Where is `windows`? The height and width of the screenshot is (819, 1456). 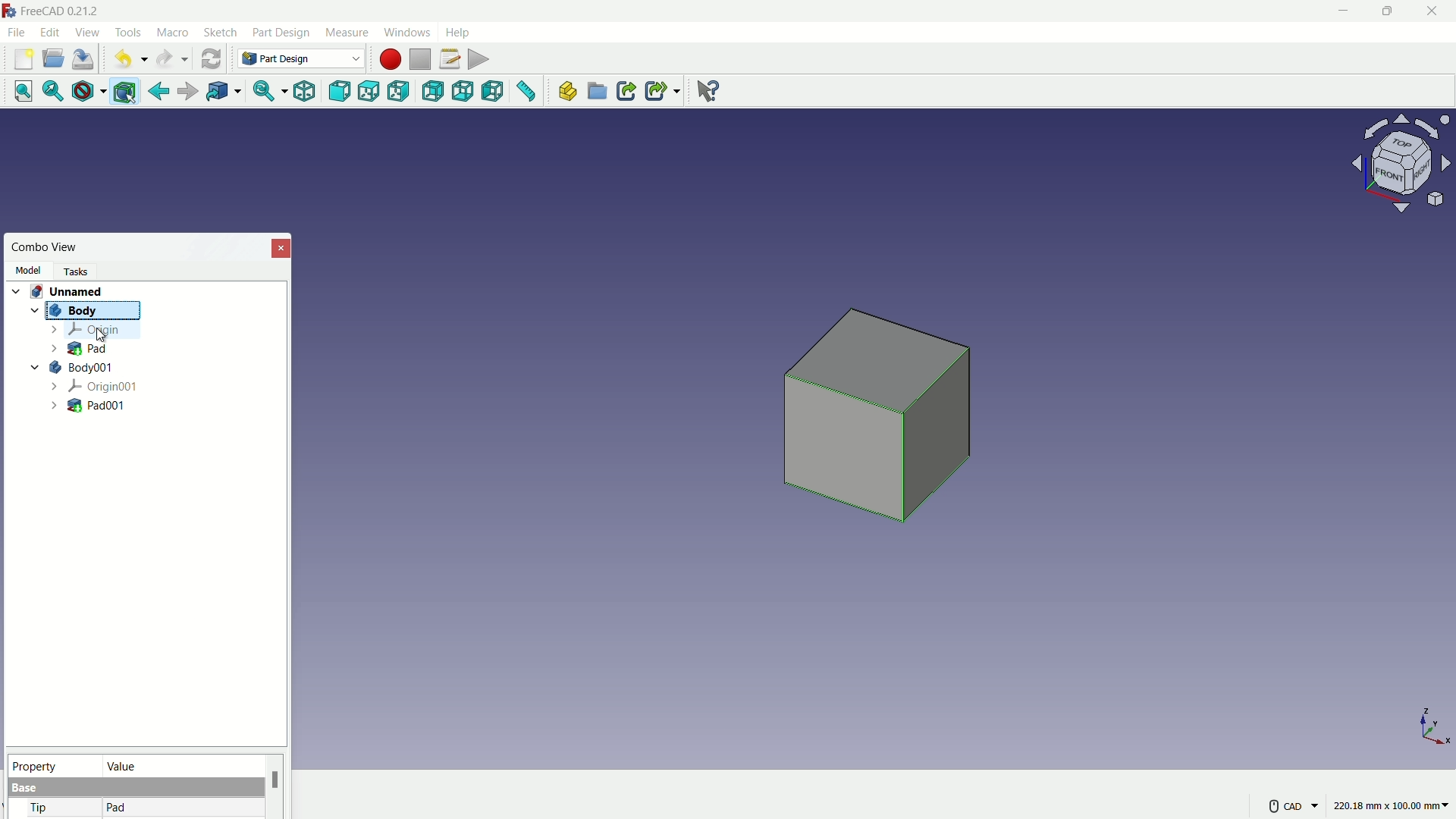 windows is located at coordinates (406, 32).